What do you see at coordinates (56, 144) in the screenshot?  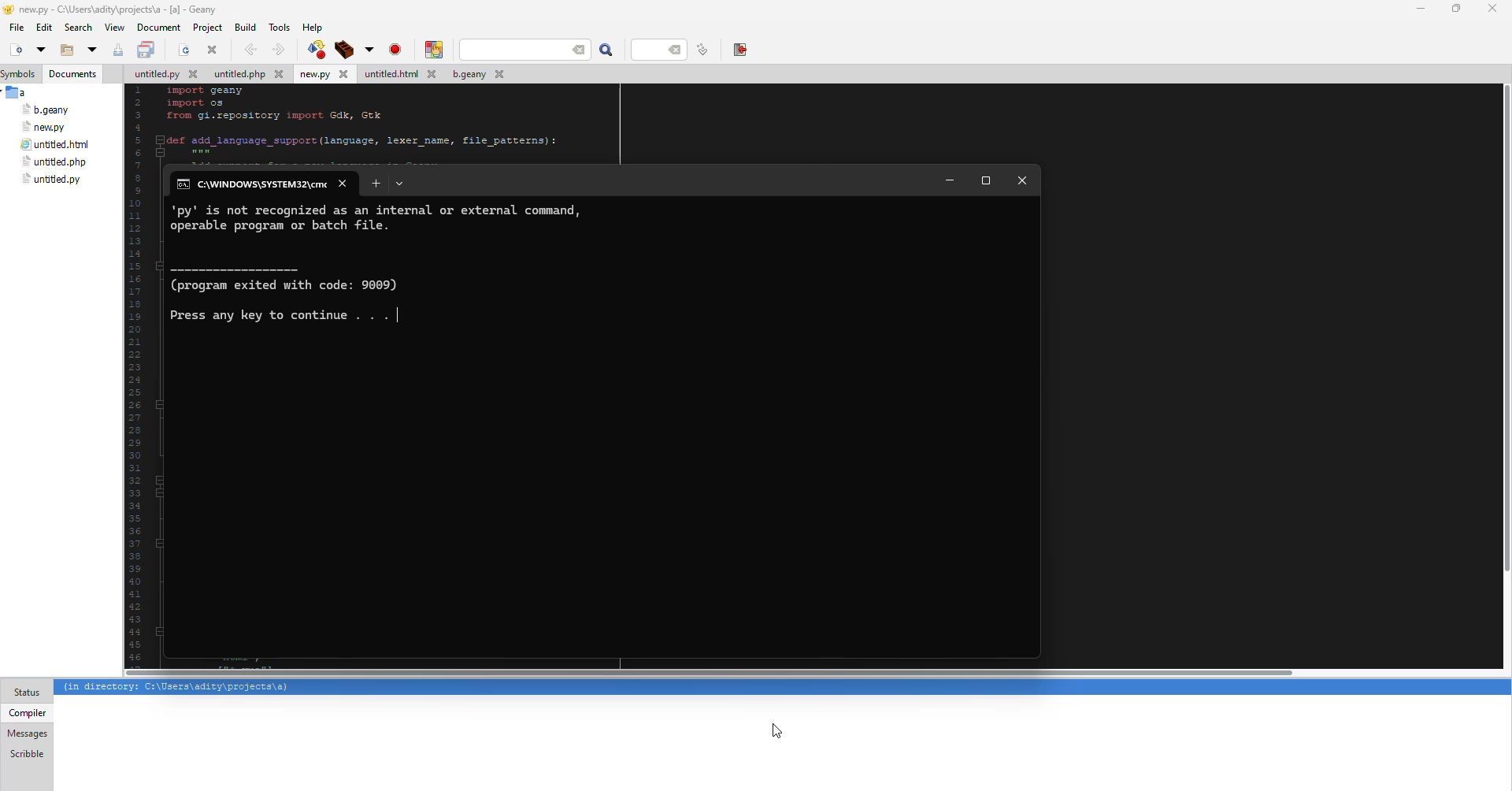 I see `file` at bounding box center [56, 144].